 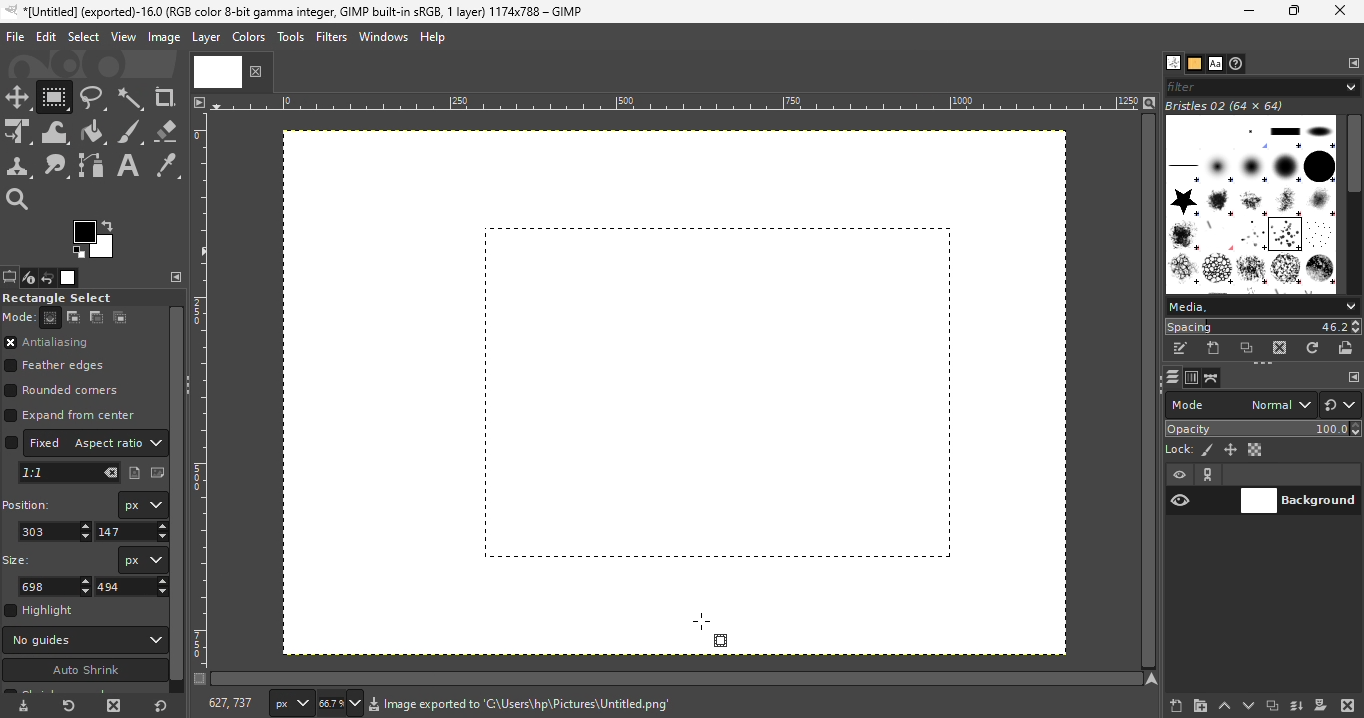 I want to click on Landscape, so click(x=156, y=473).